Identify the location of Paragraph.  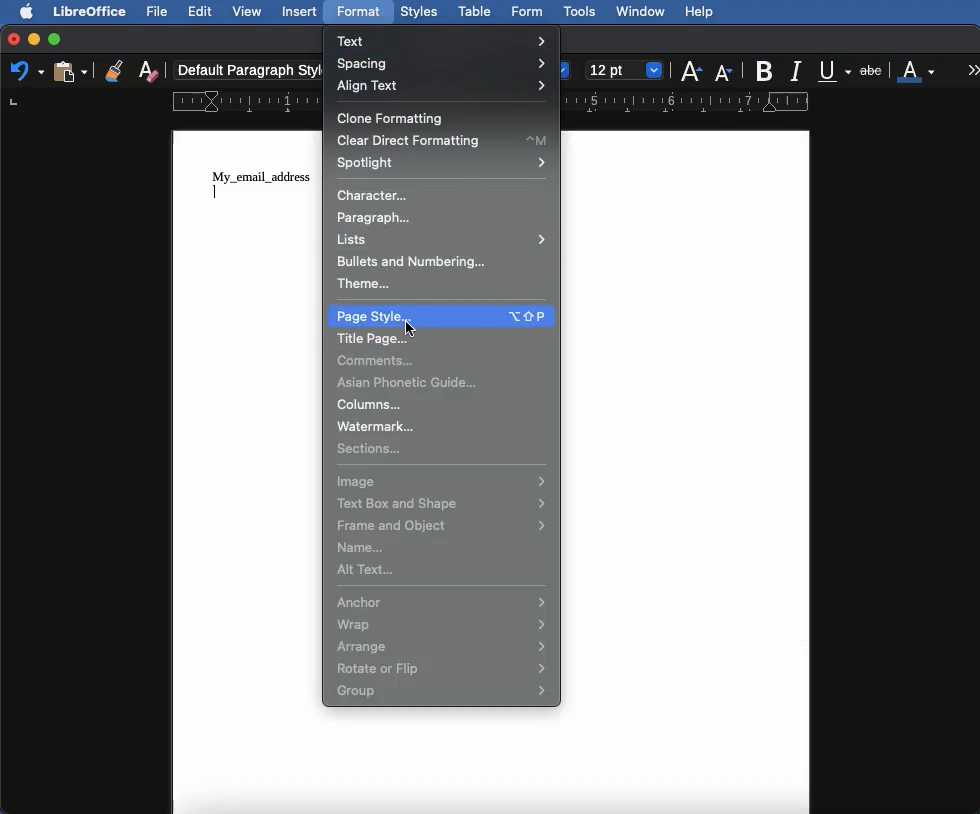
(373, 217).